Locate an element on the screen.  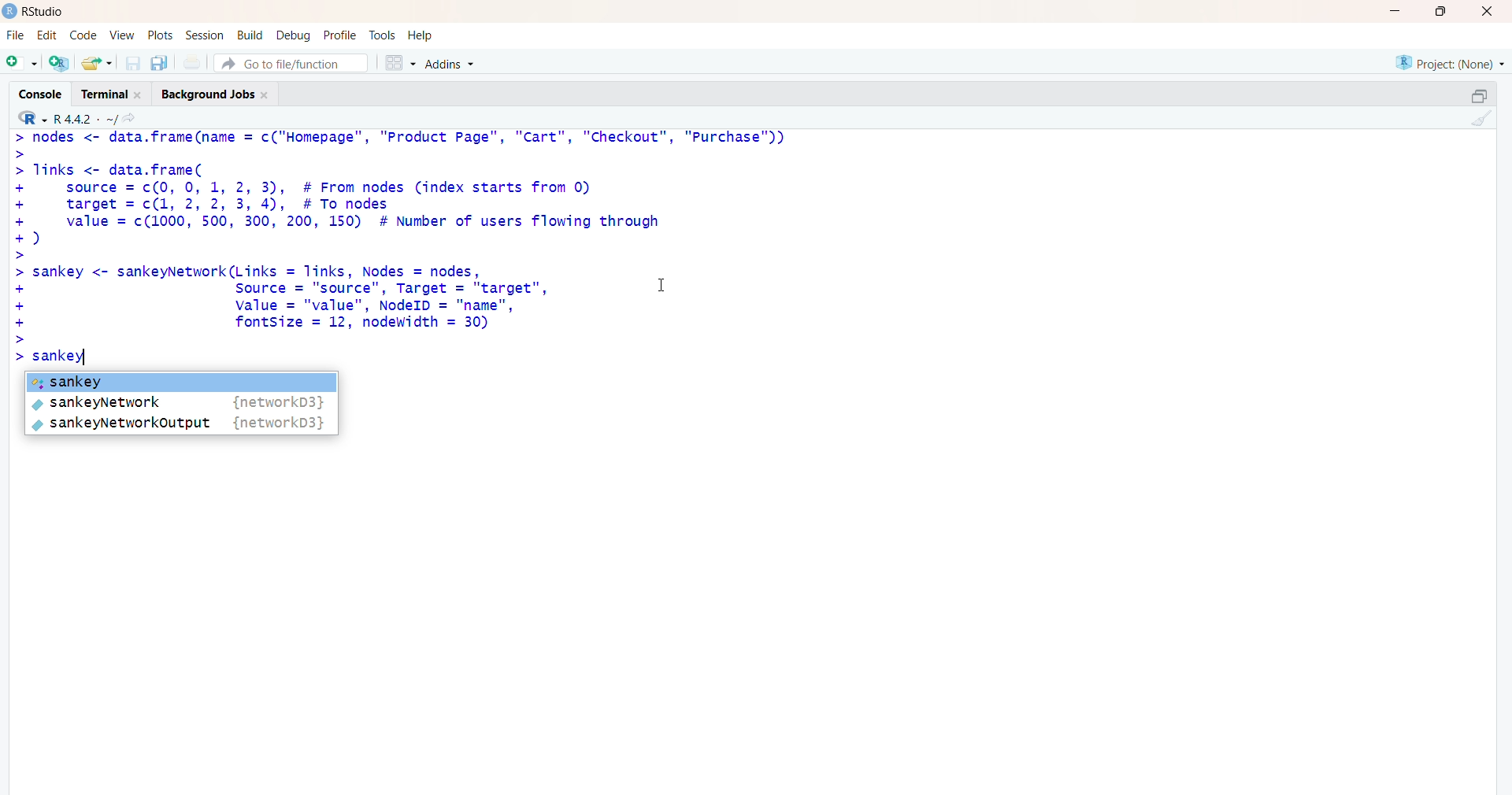
menu is located at coordinates (20, 64).